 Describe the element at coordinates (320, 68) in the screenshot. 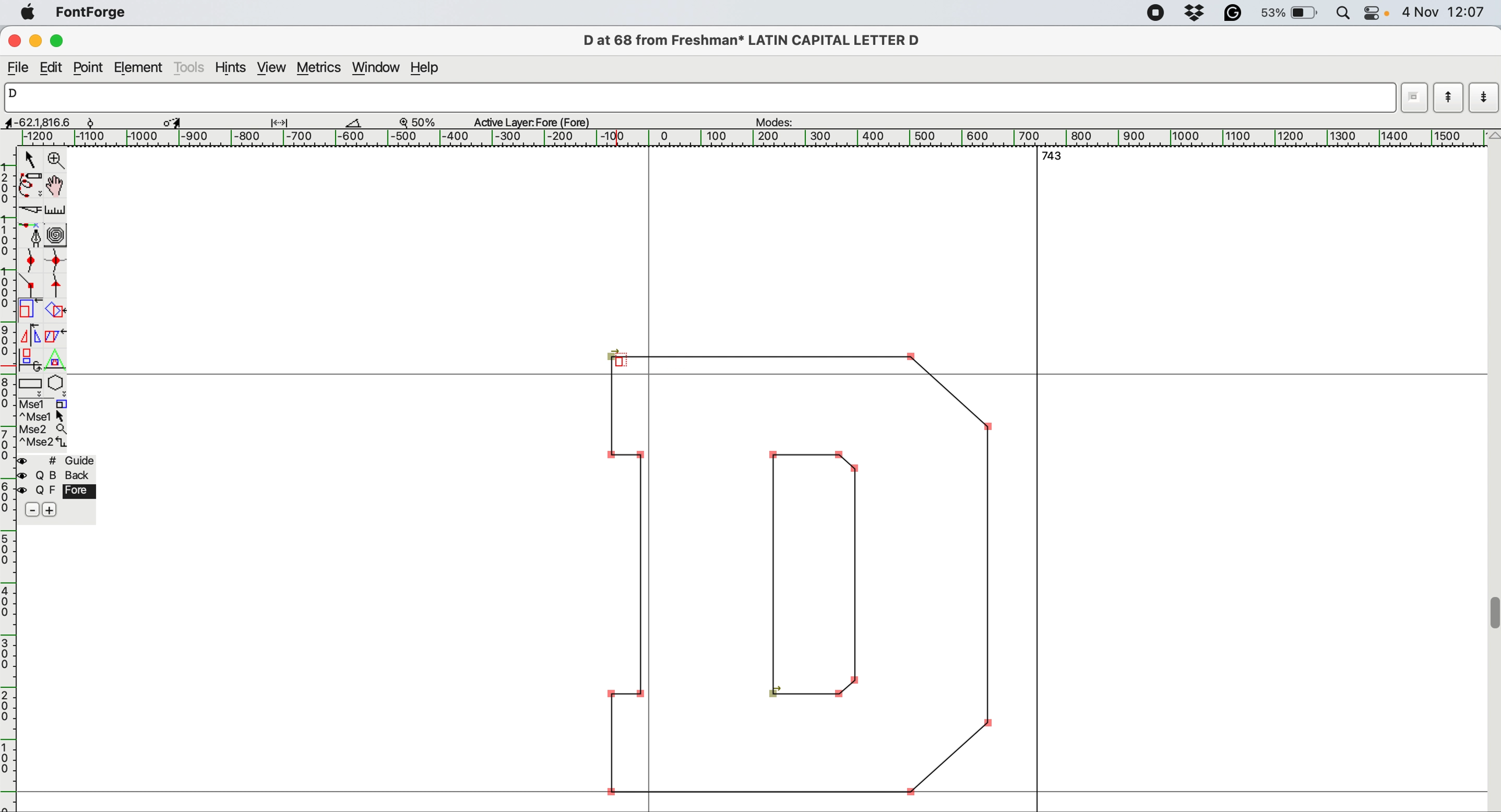

I see `metrics` at that location.